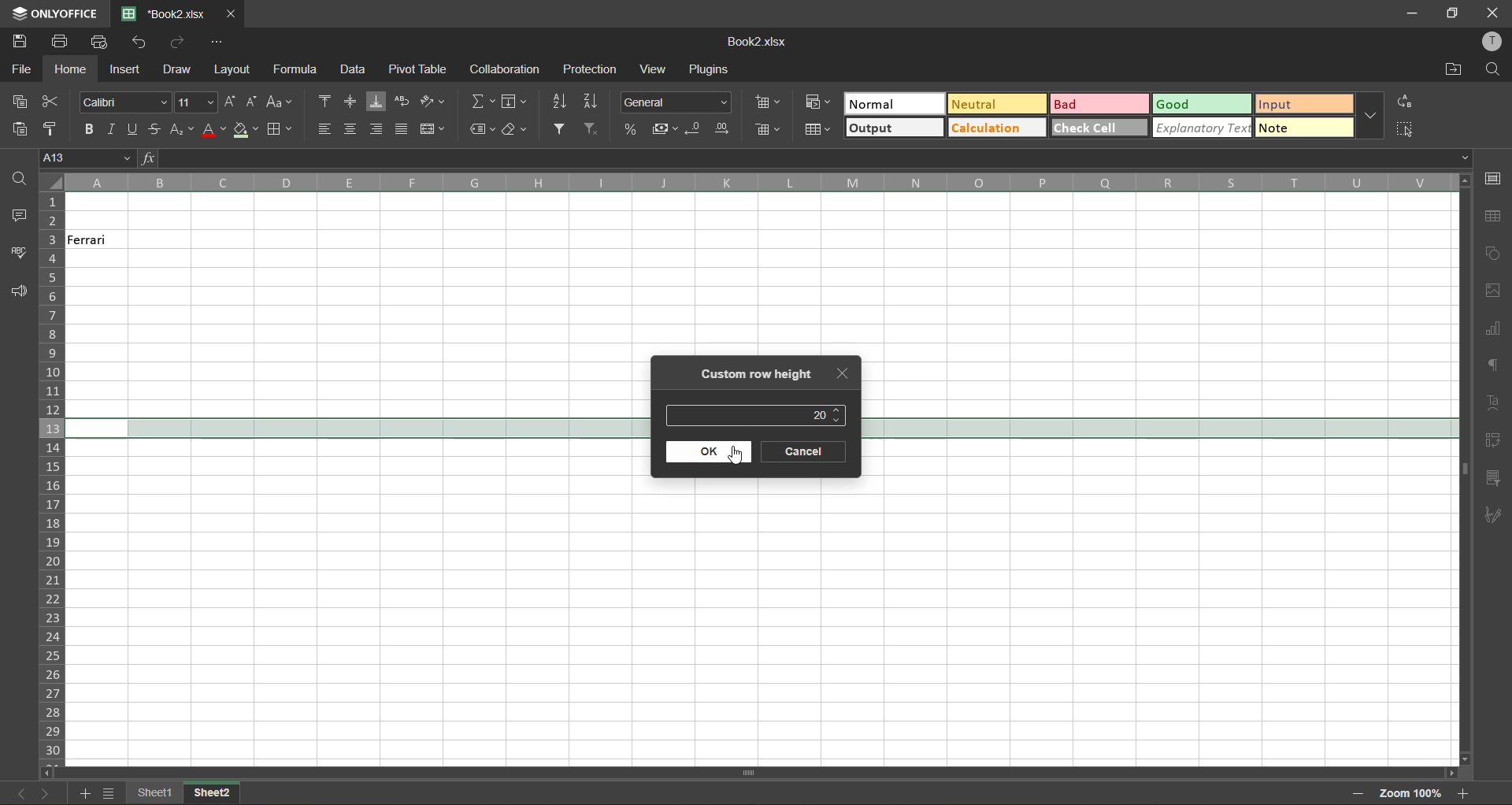 Image resolution: width=1512 pixels, height=805 pixels. Describe the element at coordinates (1098, 129) in the screenshot. I see `check cell` at that location.